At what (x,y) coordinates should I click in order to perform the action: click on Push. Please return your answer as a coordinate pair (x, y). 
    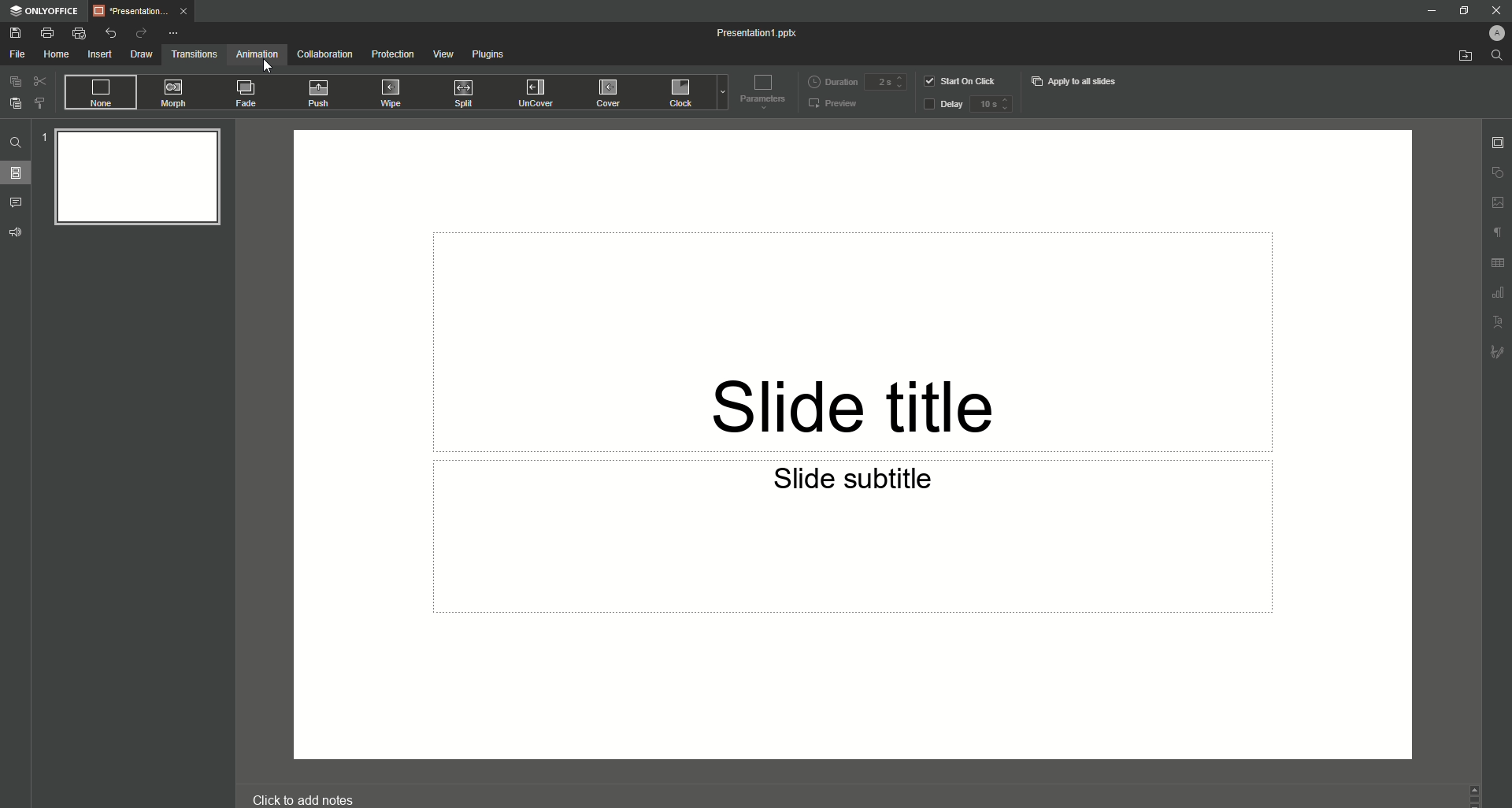
    Looking at the image, I should click on (320, 92).